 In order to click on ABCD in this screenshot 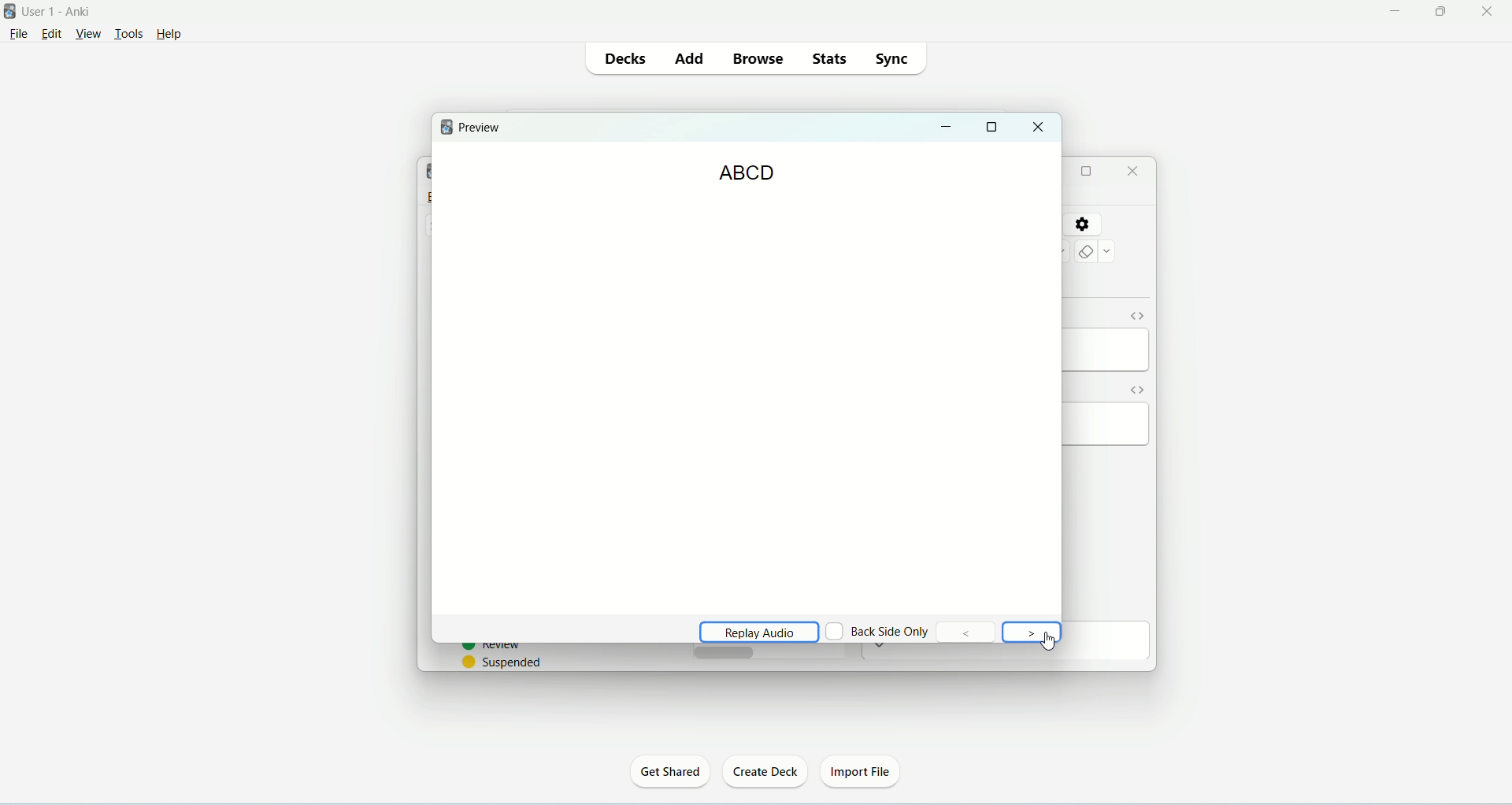, I will do `click(747, 173)`.